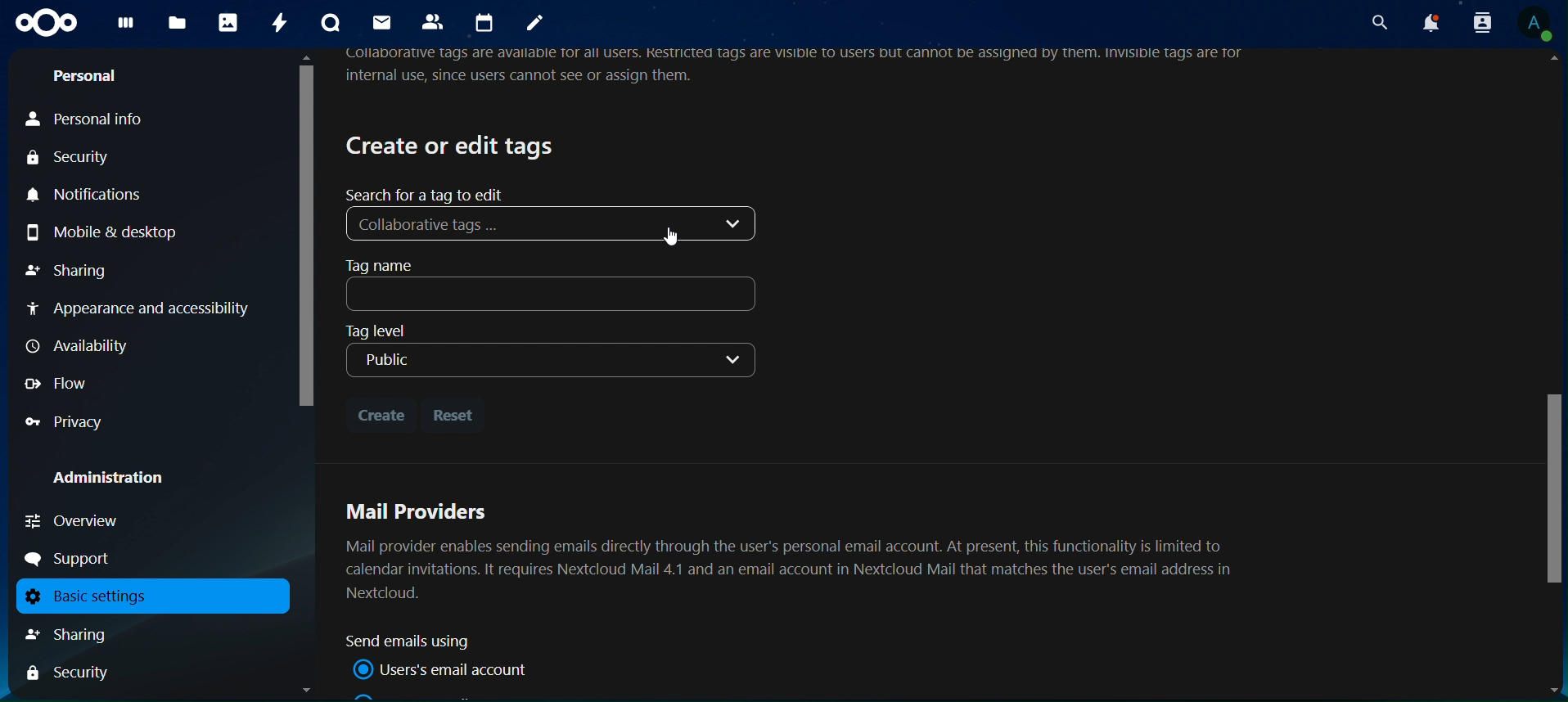 The width and height of the screenshot is (1568, 702). Describe the element at coordinates (555, 285) in the screenshot. I see `tag name` at that location.